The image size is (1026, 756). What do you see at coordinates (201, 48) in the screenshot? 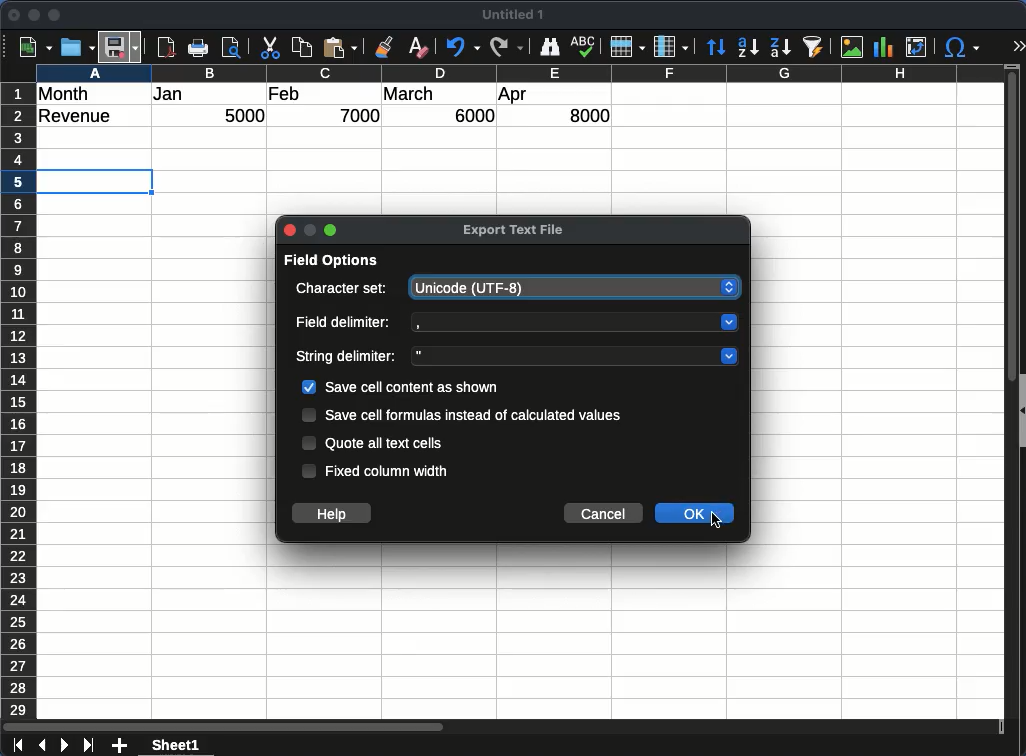
I see `Print` at bounding box center [201, 48].